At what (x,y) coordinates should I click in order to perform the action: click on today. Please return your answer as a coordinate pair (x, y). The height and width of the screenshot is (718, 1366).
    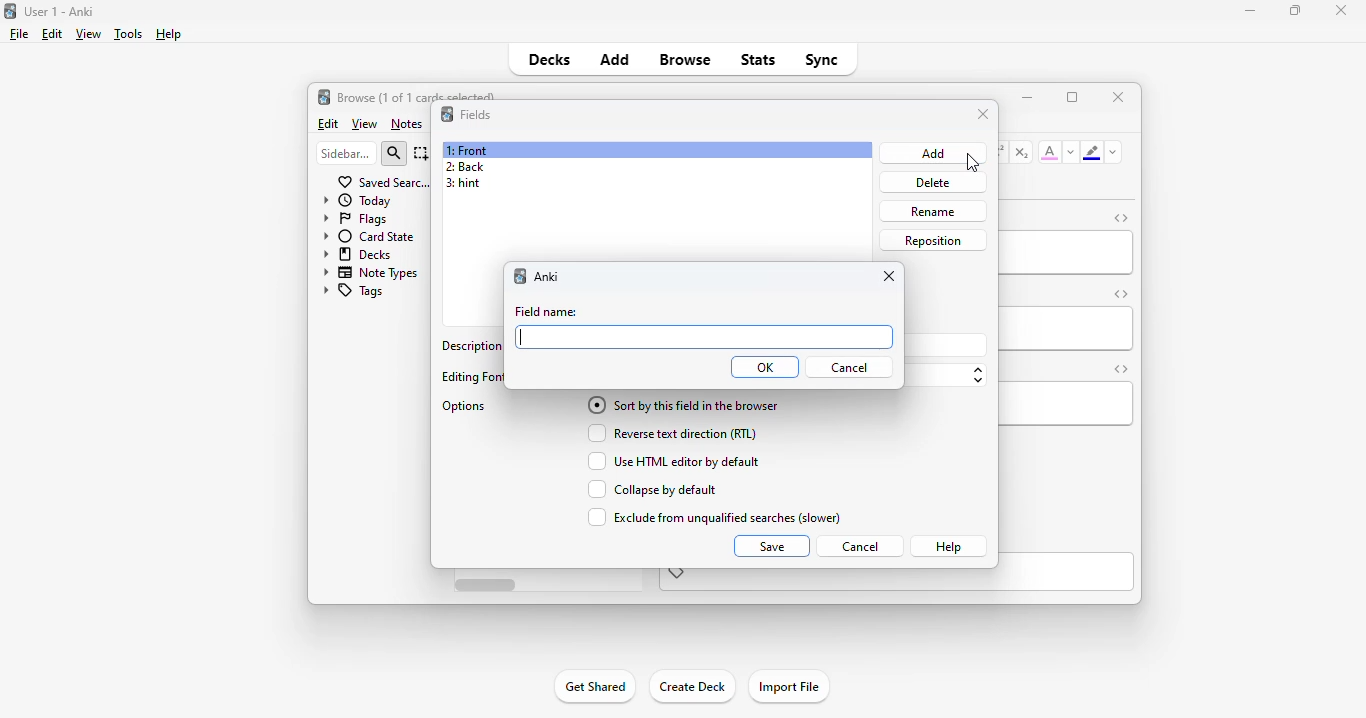
    Looking at the image, I should click on (357, 200).